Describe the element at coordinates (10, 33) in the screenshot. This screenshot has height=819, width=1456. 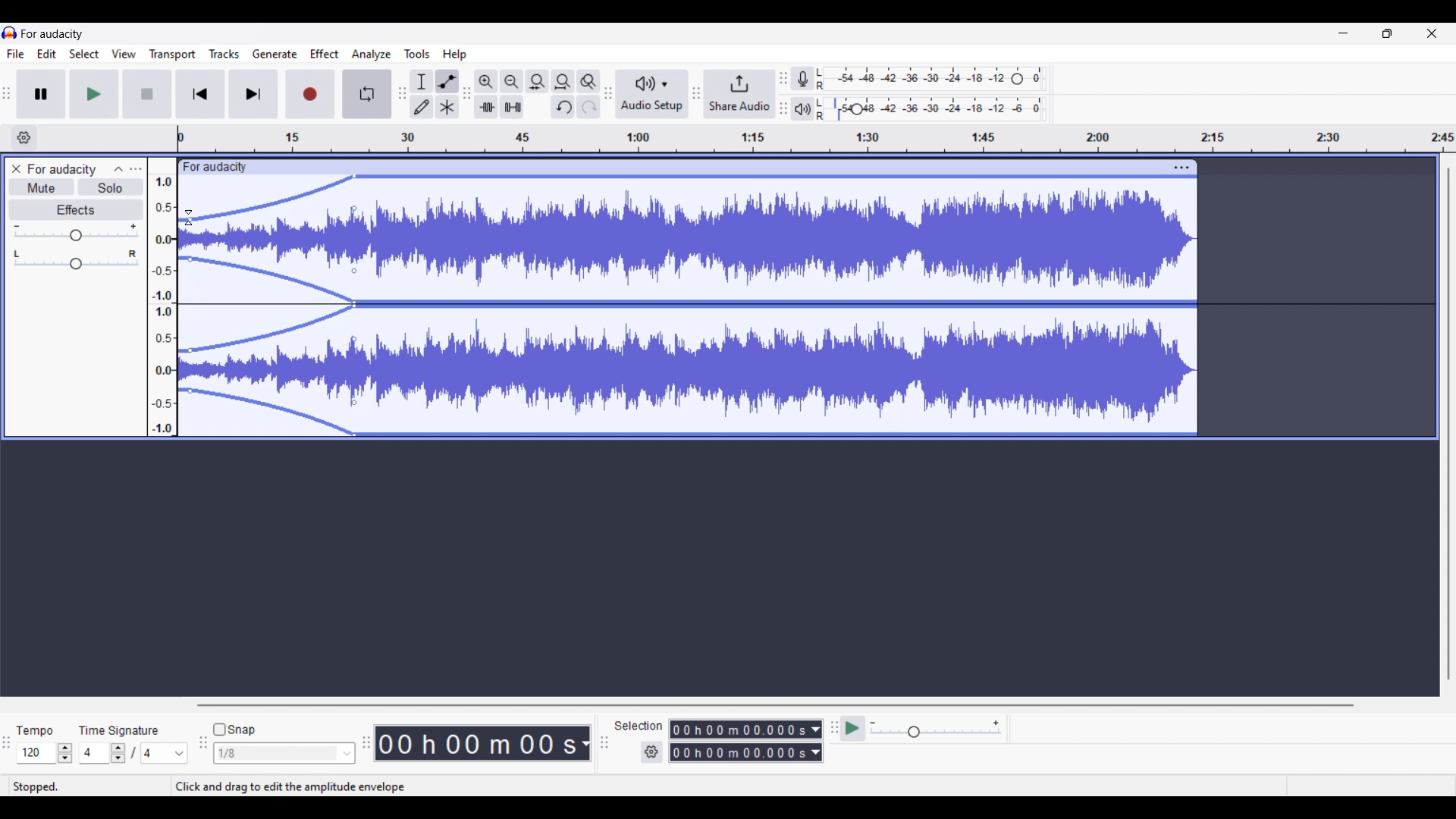
I see `logo` at that location.